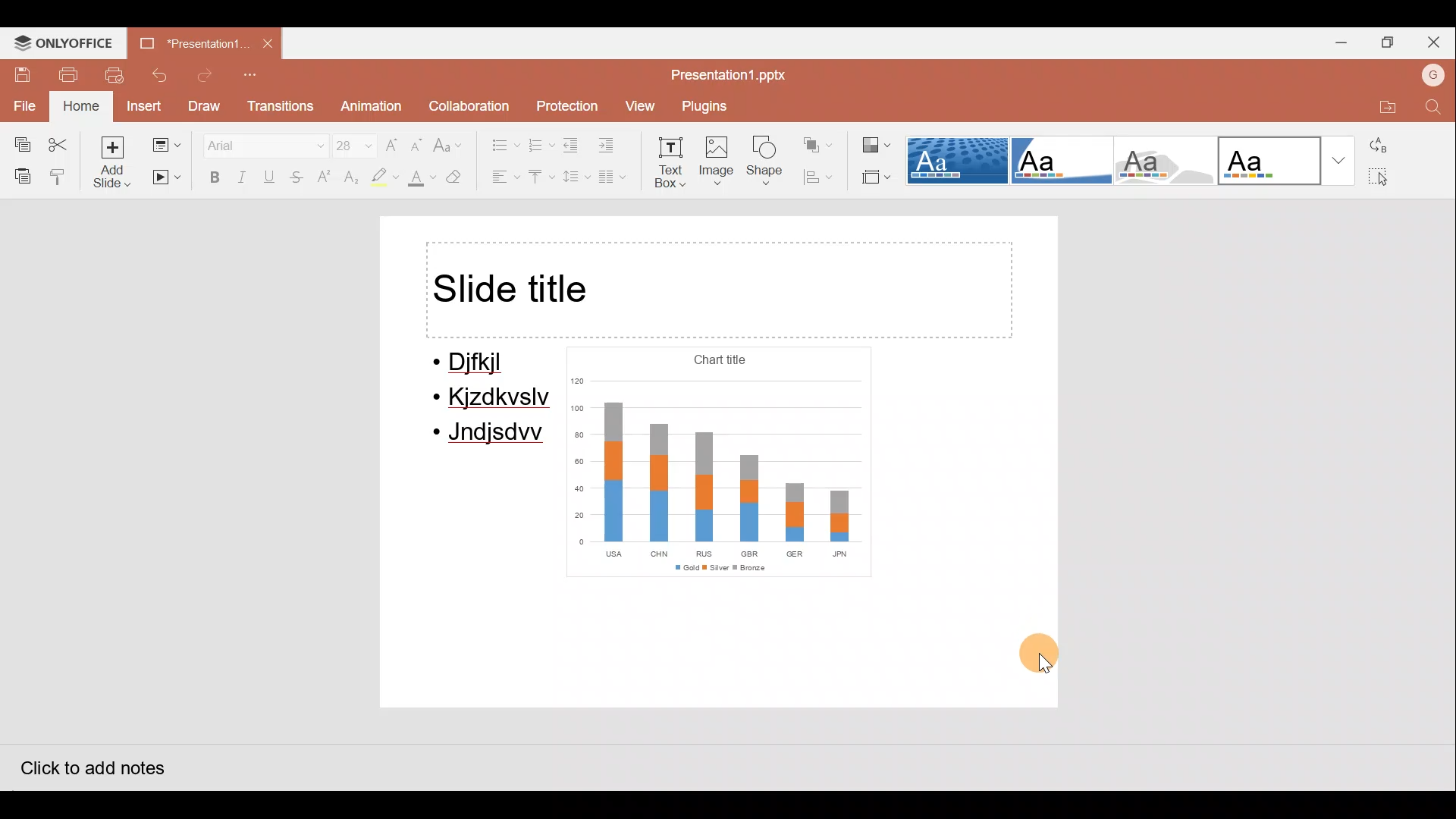  What do you see at coordinates (1432, 108) in the screenshot?
I see `Find` at bounding box center [1432, 108].